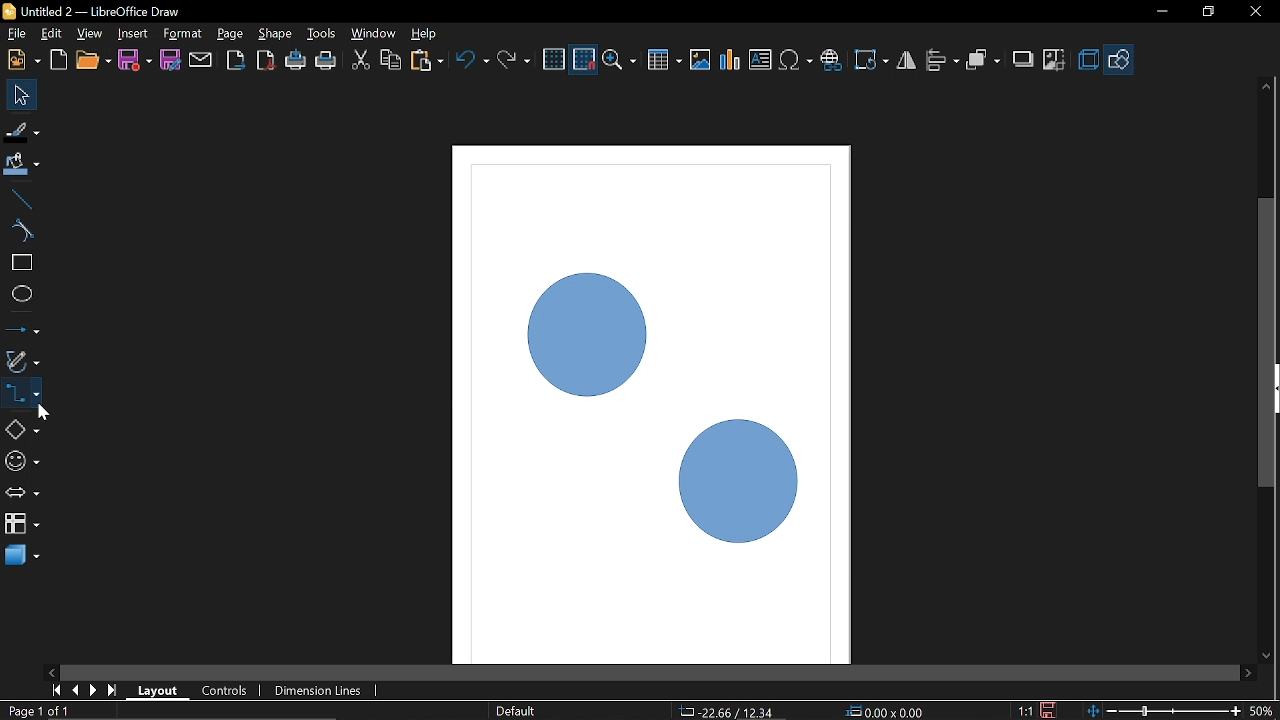 The image size is (1280, 720). I want to click on Help, so click(427, 34).